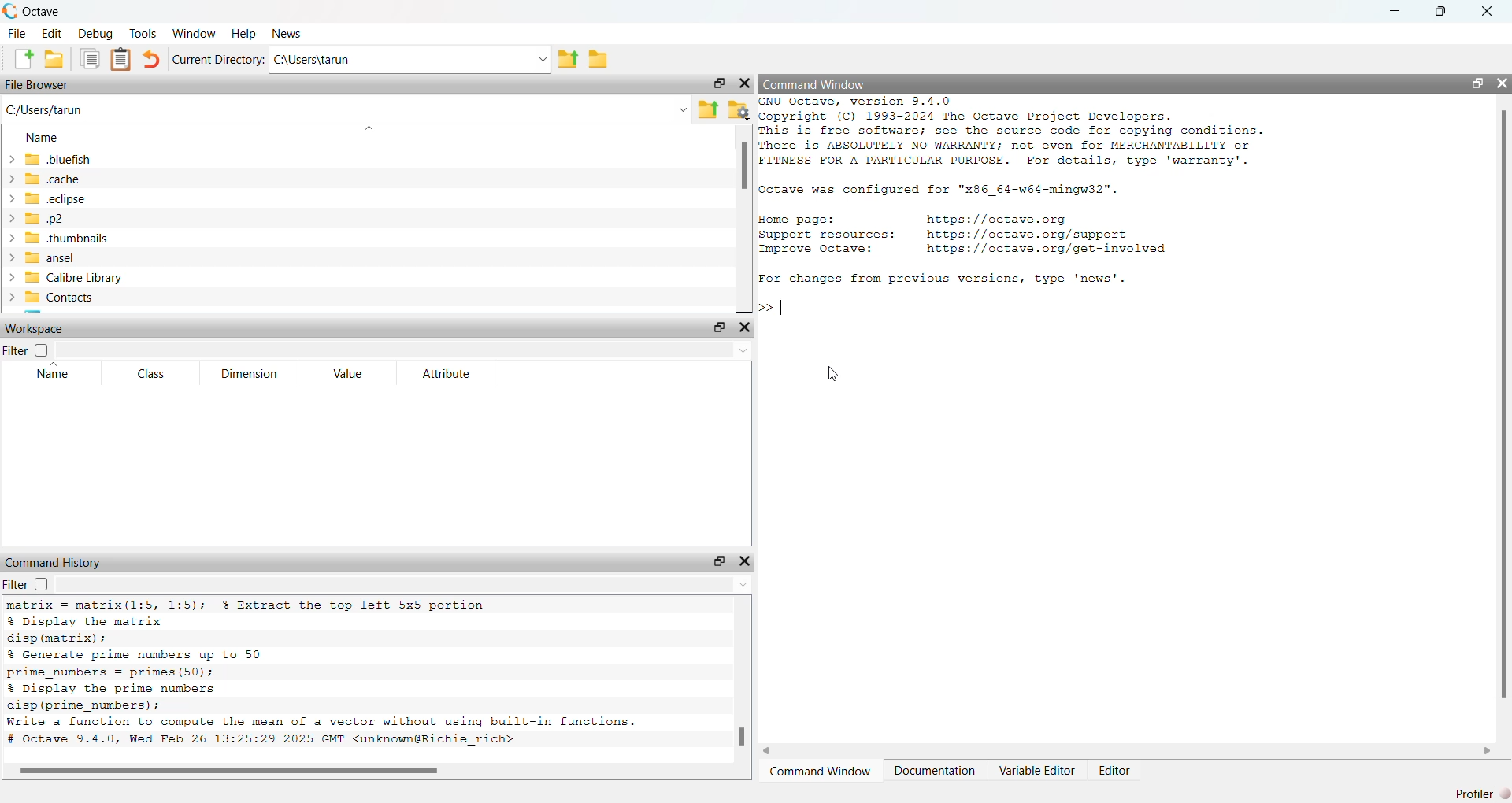 Image resolution: width=1512 pixels, height=803 pixels. Describe the element at coordinates (965, 235) in the screenshot. I see `Home page: https://octave.org
Support resources: https: //octave.org/support
Improve Octave: https://octave.org/get-involved` at that location.